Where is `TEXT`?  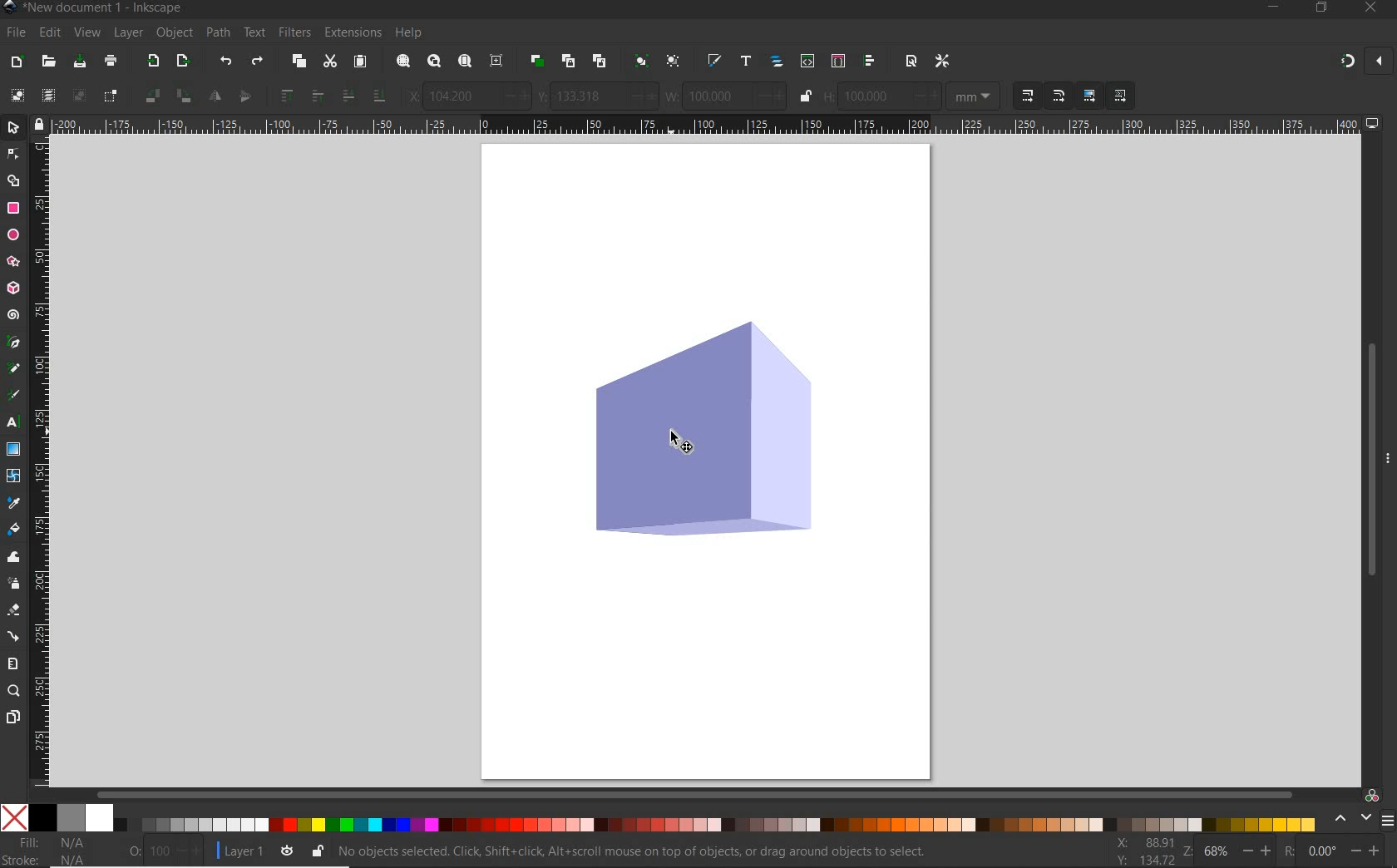
TEXT is located at coordinates (254, 32).